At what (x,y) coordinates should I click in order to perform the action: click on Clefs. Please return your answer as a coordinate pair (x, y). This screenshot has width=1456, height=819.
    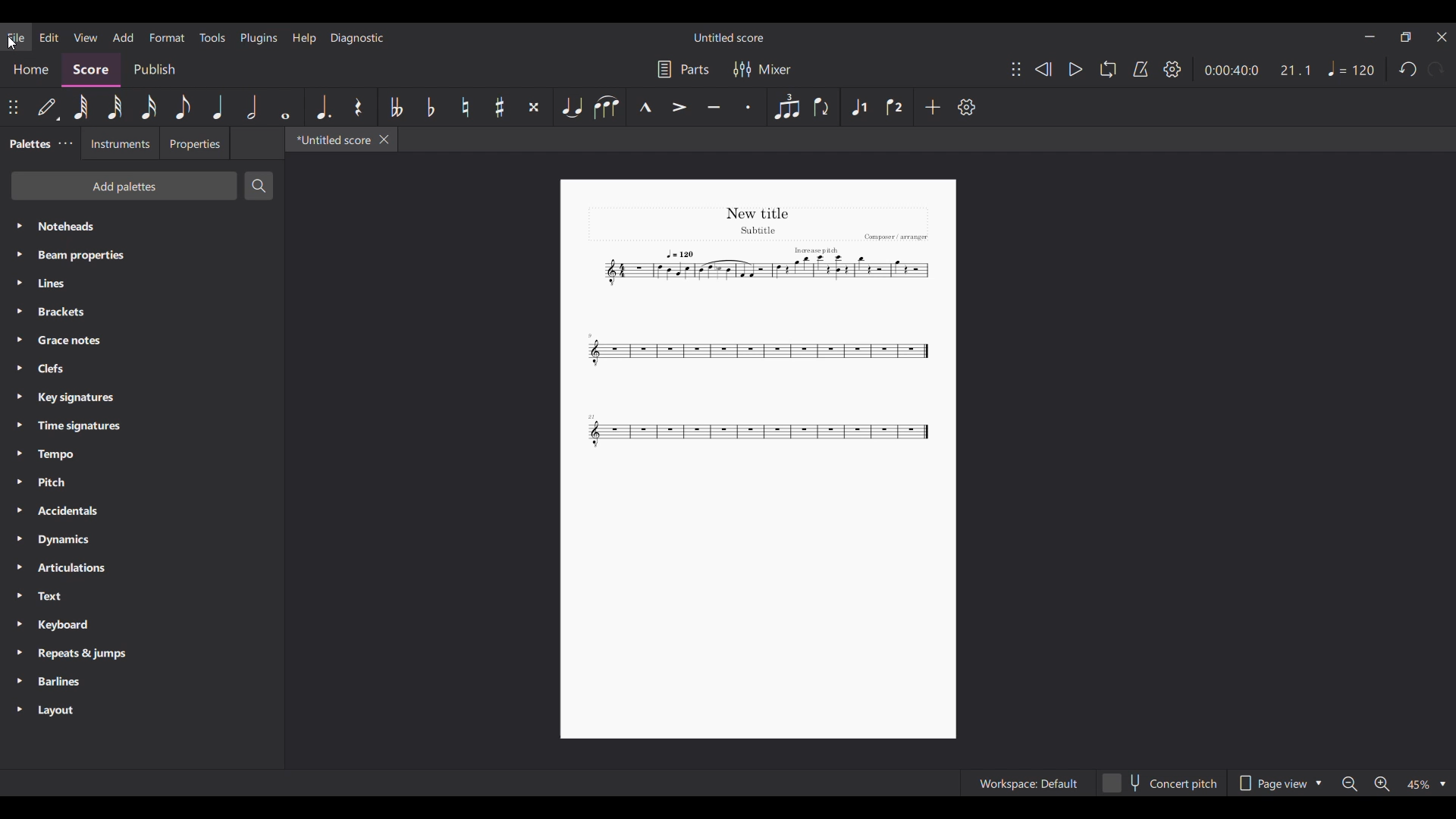
    Looking at the image, I should click on (141, 368).